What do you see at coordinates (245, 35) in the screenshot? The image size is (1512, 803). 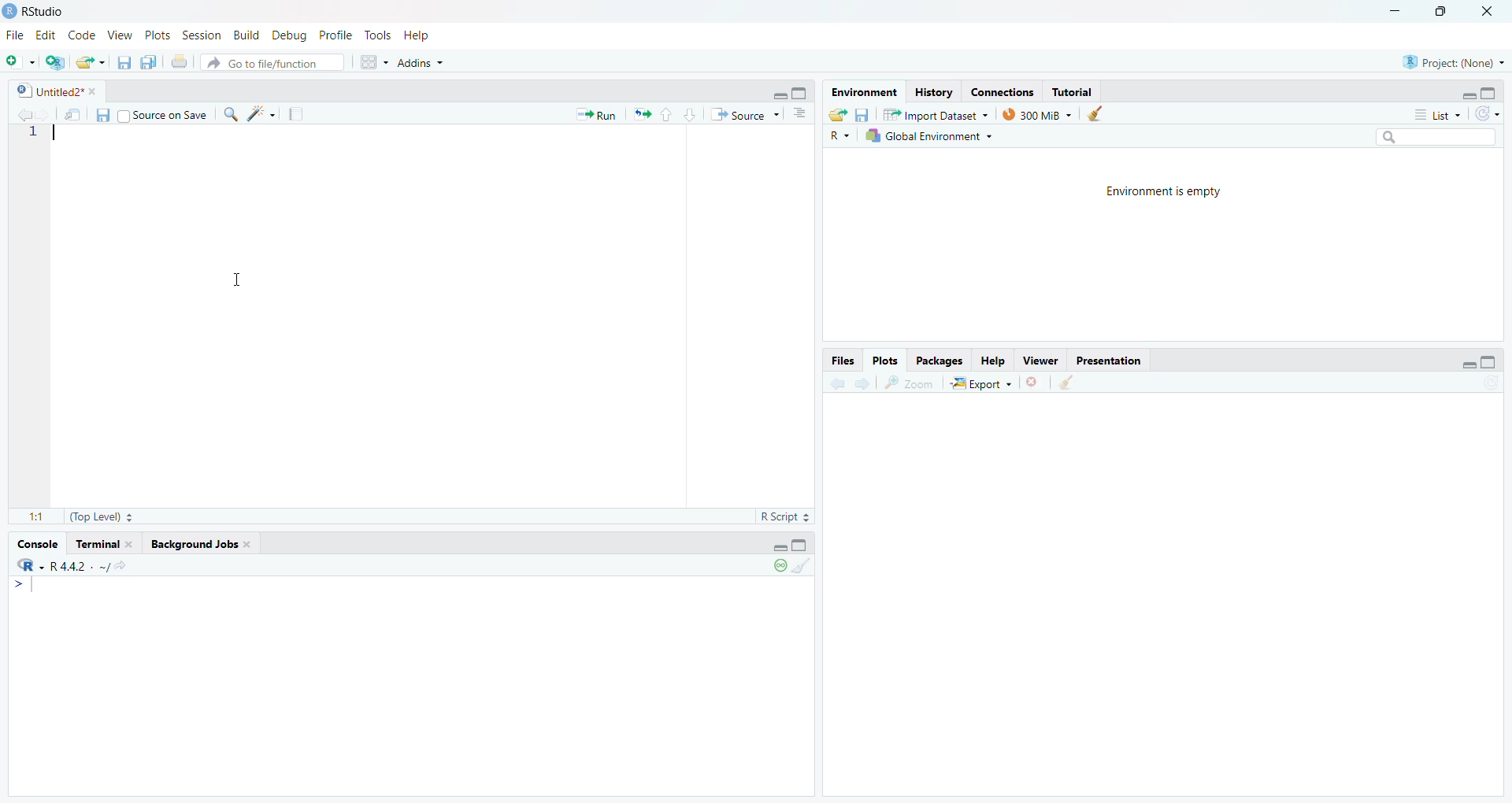 I see `Build` at bounding box center [245, 35].